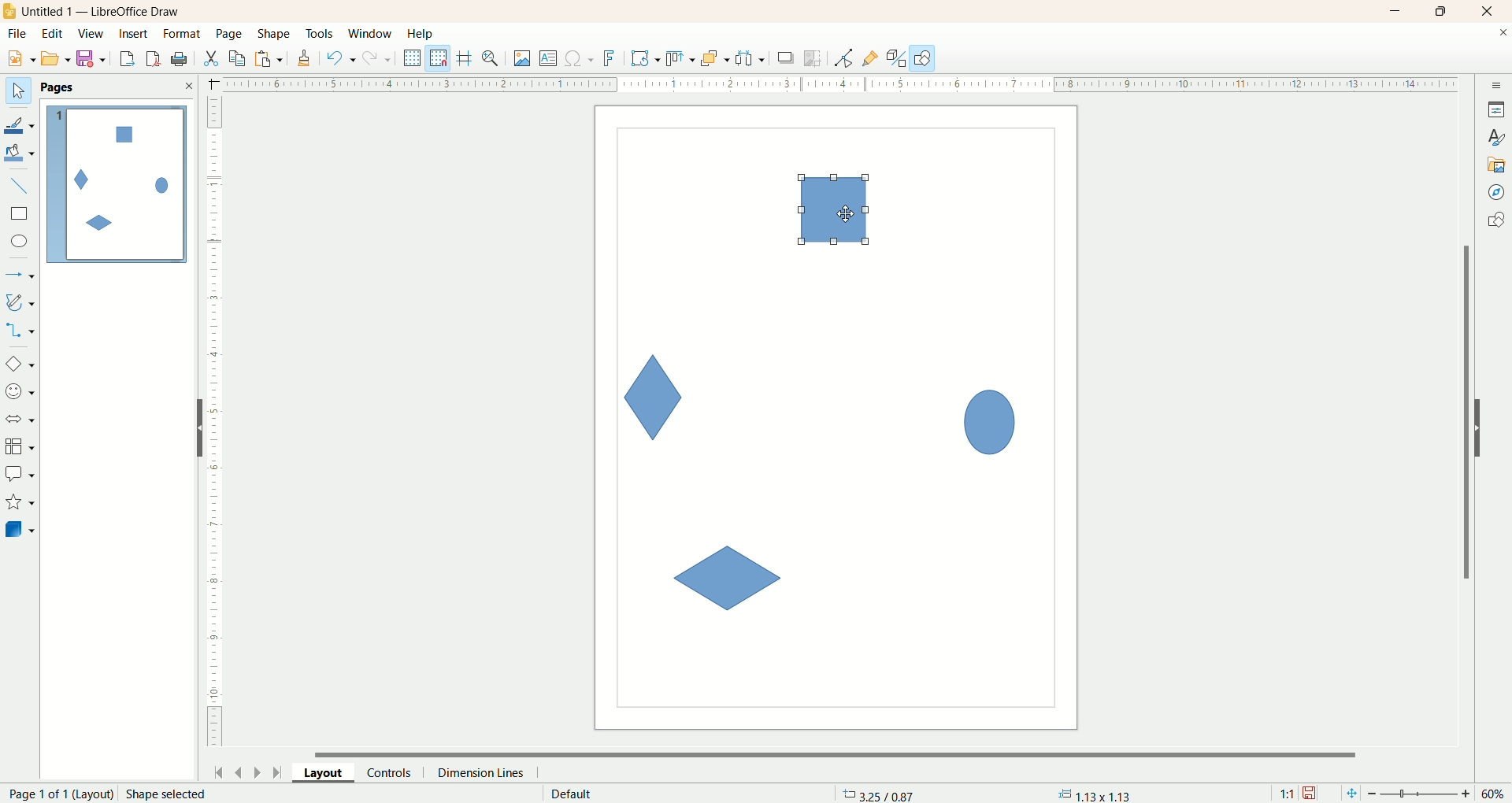 This screenshot has width=1512, height=803. I want to click on insert, so click(135, 34).